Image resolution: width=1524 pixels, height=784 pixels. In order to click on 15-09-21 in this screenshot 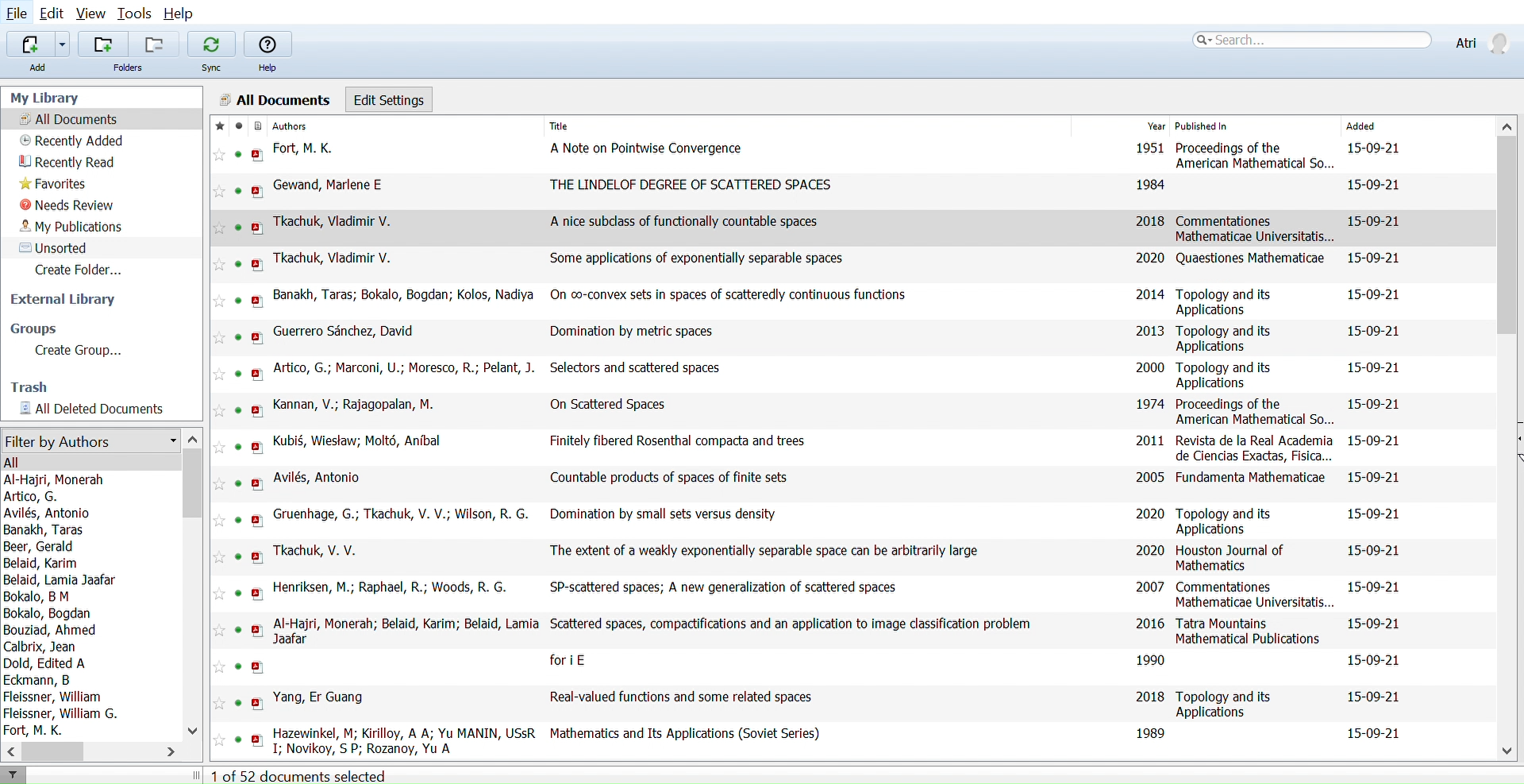, I will do `click(1373, 475)`.